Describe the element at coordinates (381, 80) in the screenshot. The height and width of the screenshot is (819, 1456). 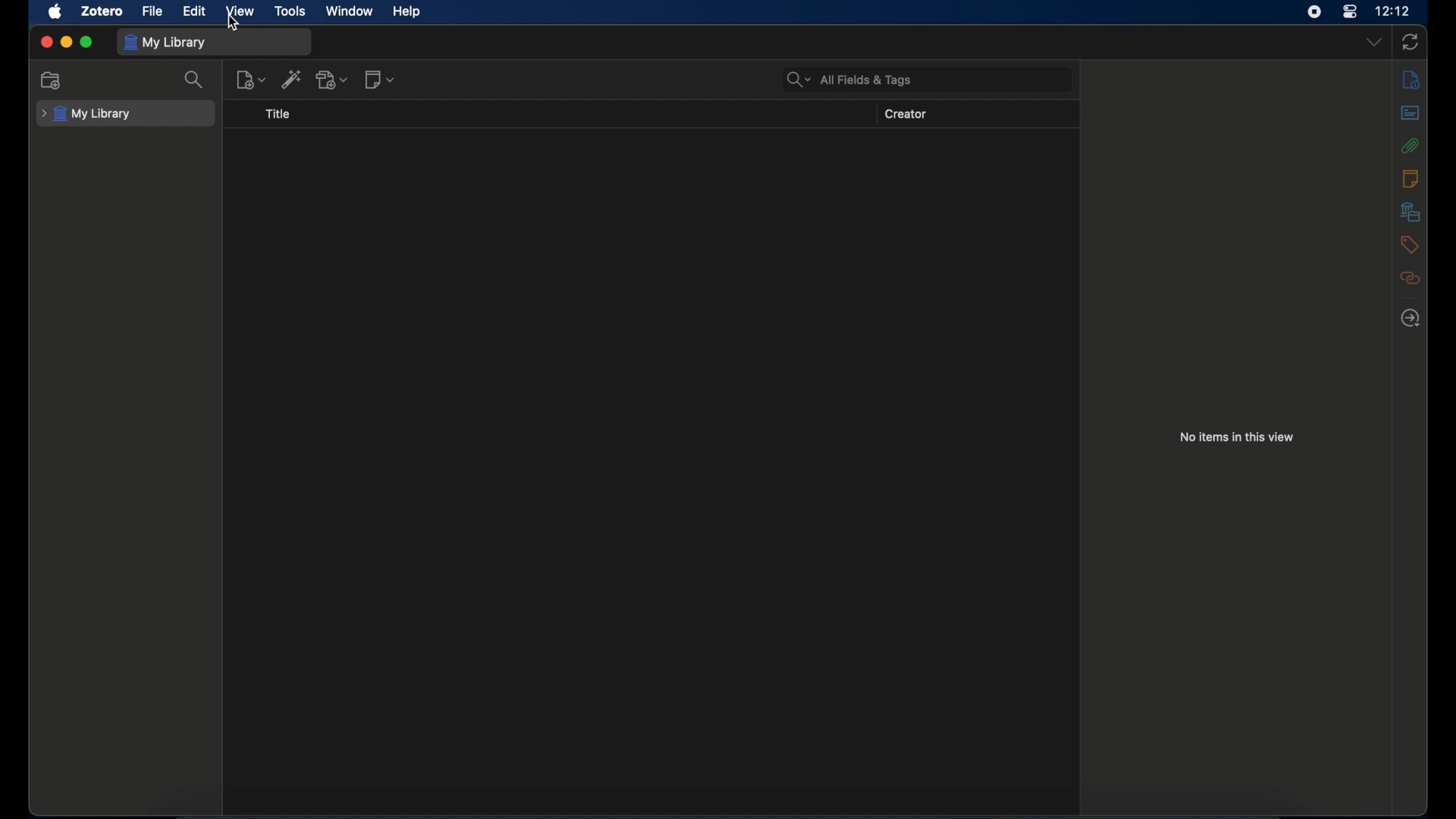
I see `new notes` at that location.